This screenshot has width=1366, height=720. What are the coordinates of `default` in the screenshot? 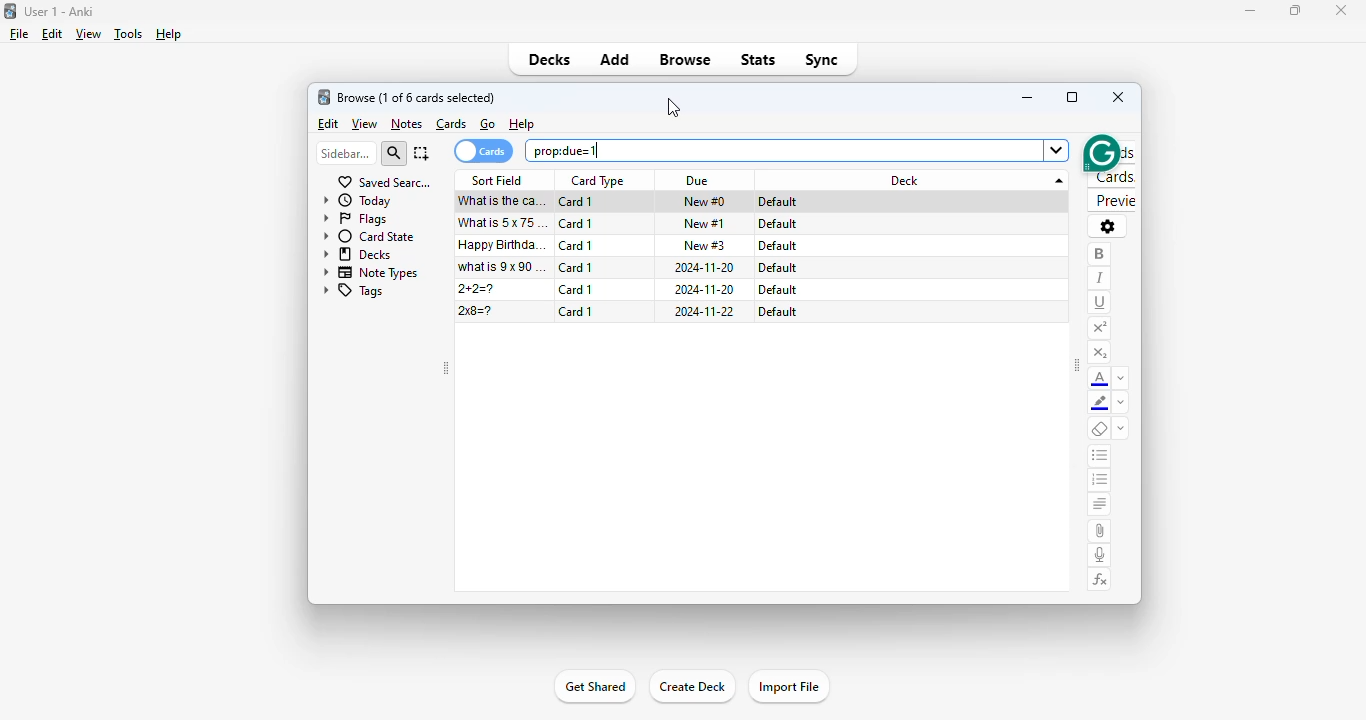 It's located at (775, 223).